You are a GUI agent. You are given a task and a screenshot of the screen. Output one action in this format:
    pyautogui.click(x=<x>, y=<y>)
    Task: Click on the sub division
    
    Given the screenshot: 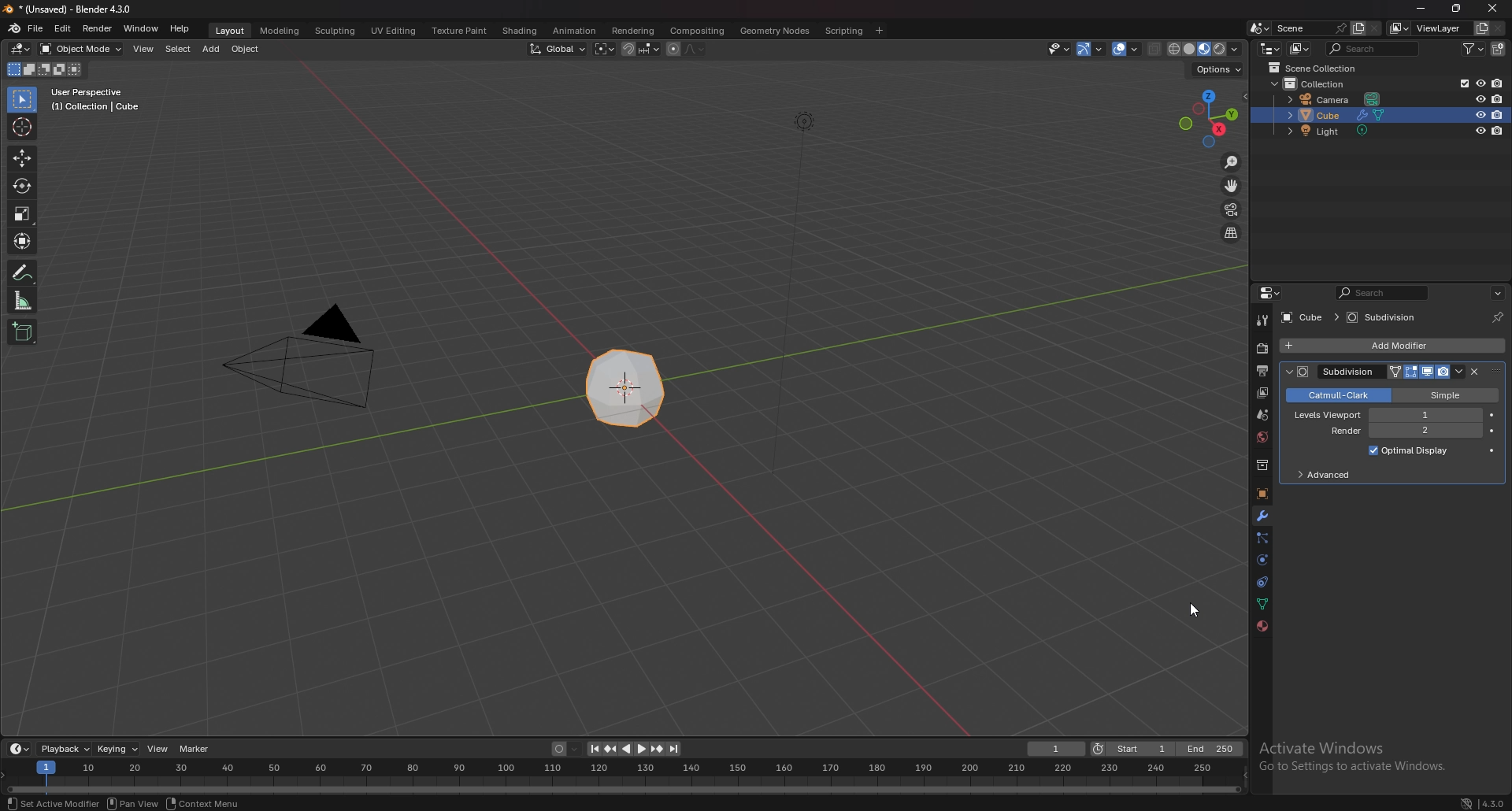 What is the action you would take?
    pyautogui.click(x=1353, y=372)
    